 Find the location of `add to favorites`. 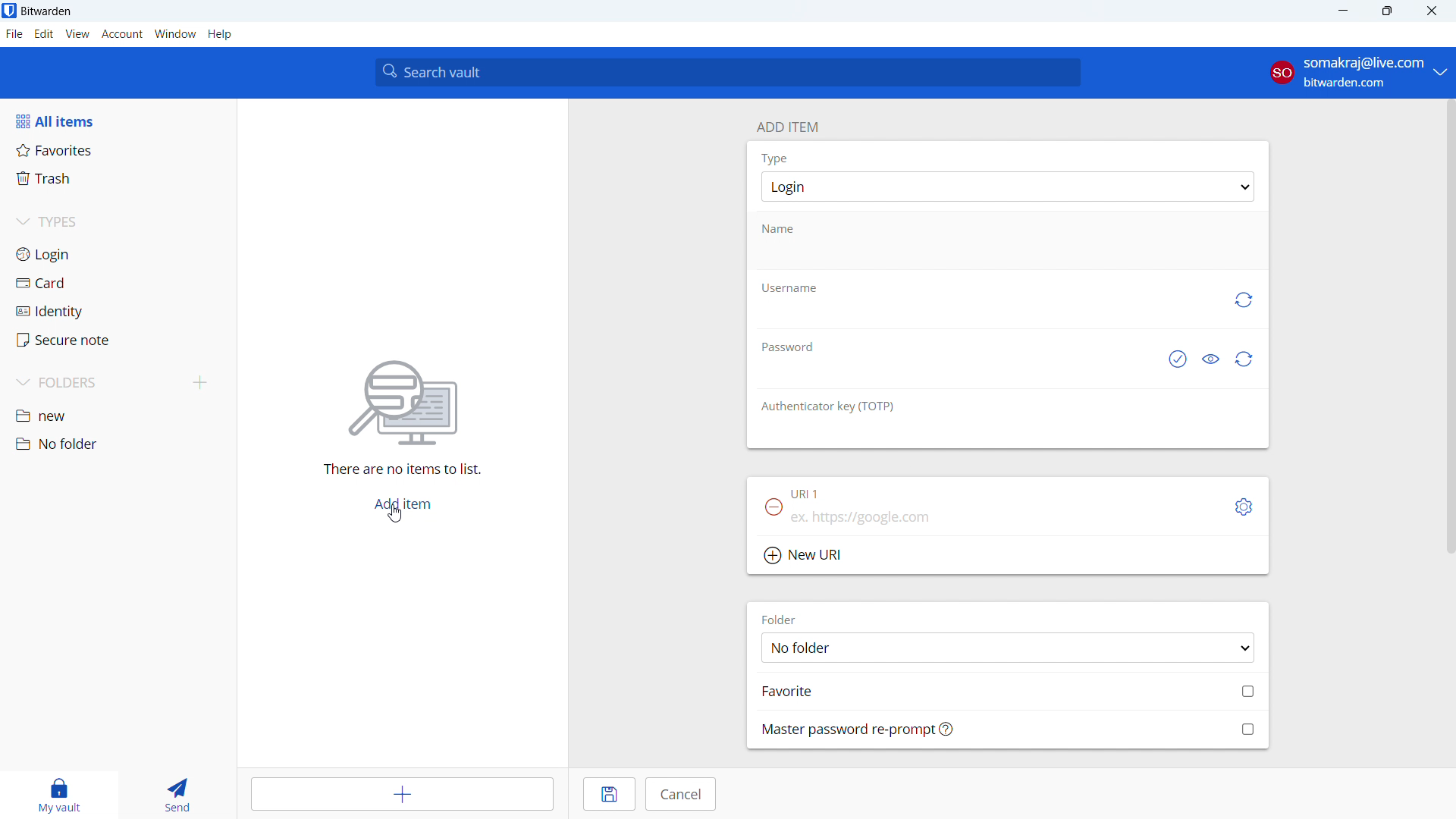

add to favorites is located at coordinates (1009, 690).